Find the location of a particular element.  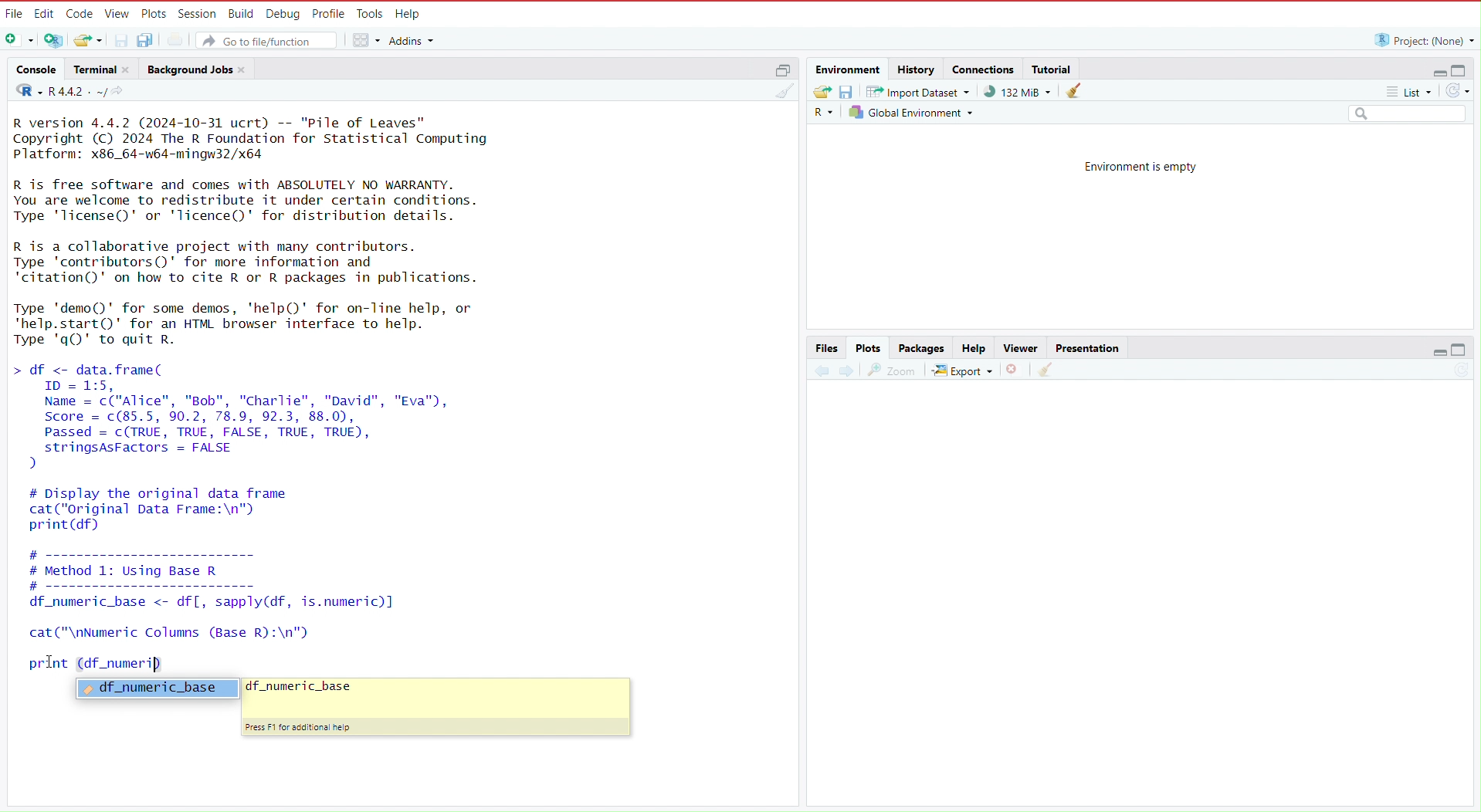

refresh the list of objects in the environment is located at coordinates (1462, 91).